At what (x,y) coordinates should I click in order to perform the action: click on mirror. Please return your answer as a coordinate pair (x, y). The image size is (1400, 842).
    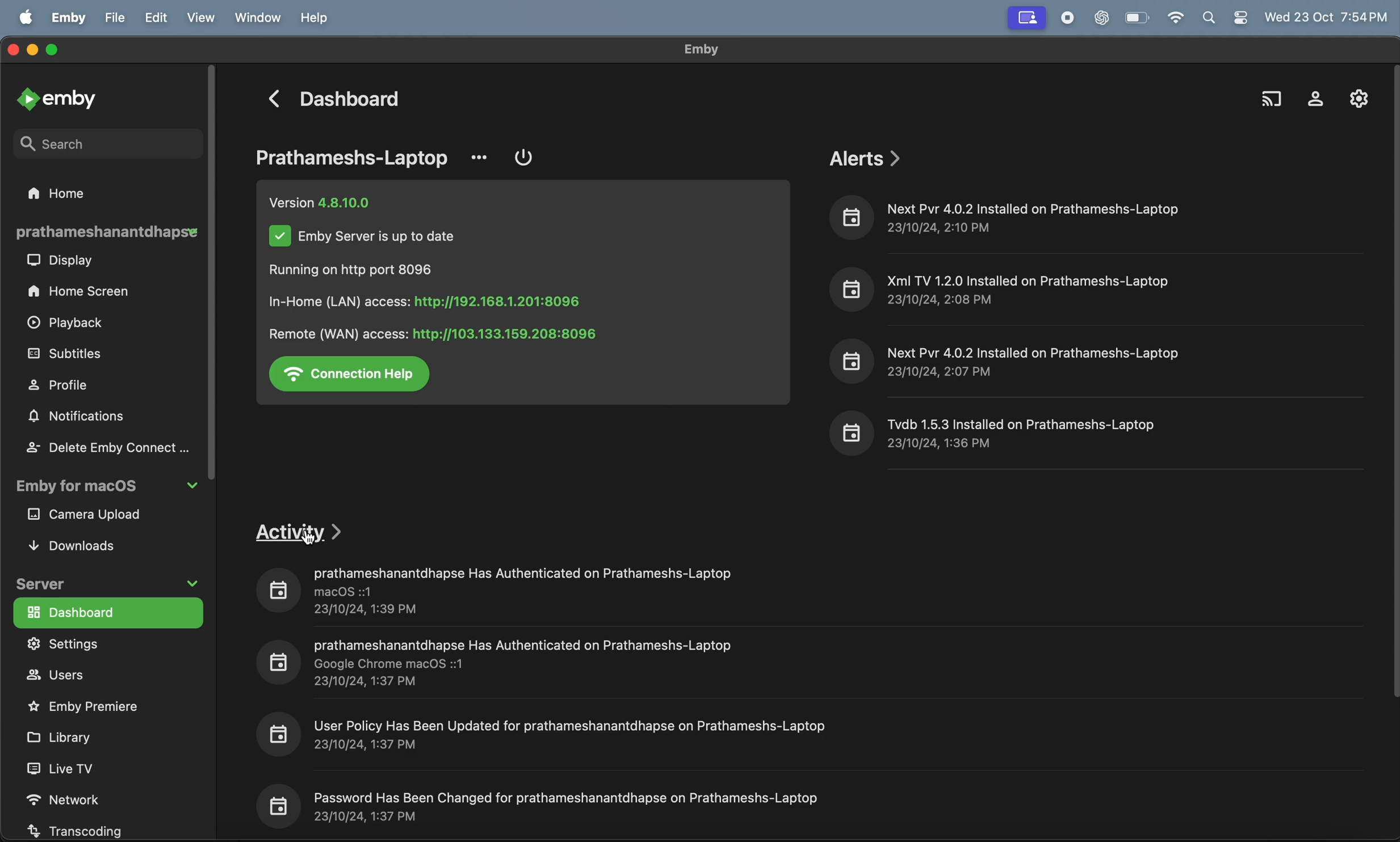
    Looking at the image, I should click on (1028, 20).